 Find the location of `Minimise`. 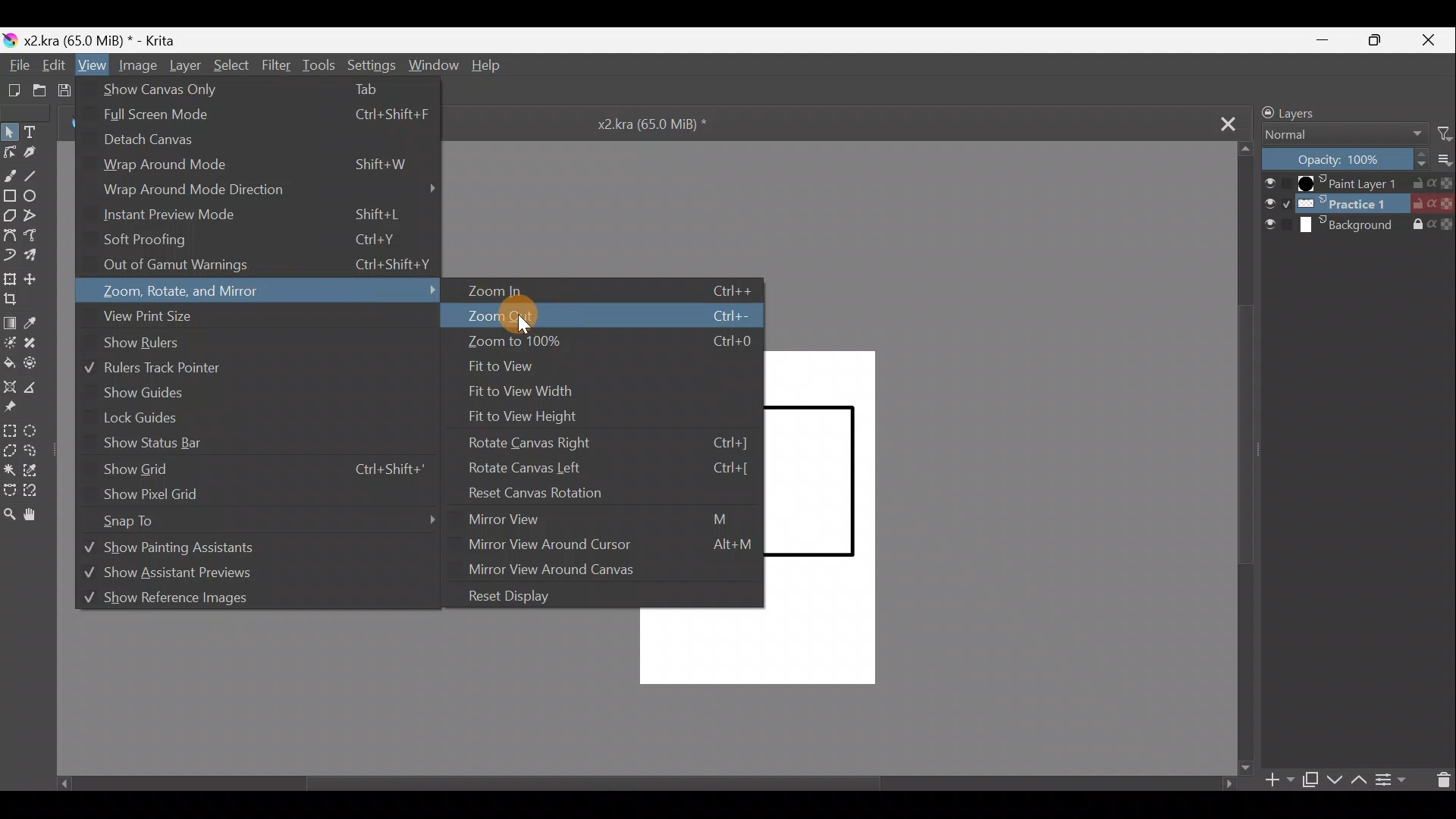

Minimise is located at coordinates (1326, 39).